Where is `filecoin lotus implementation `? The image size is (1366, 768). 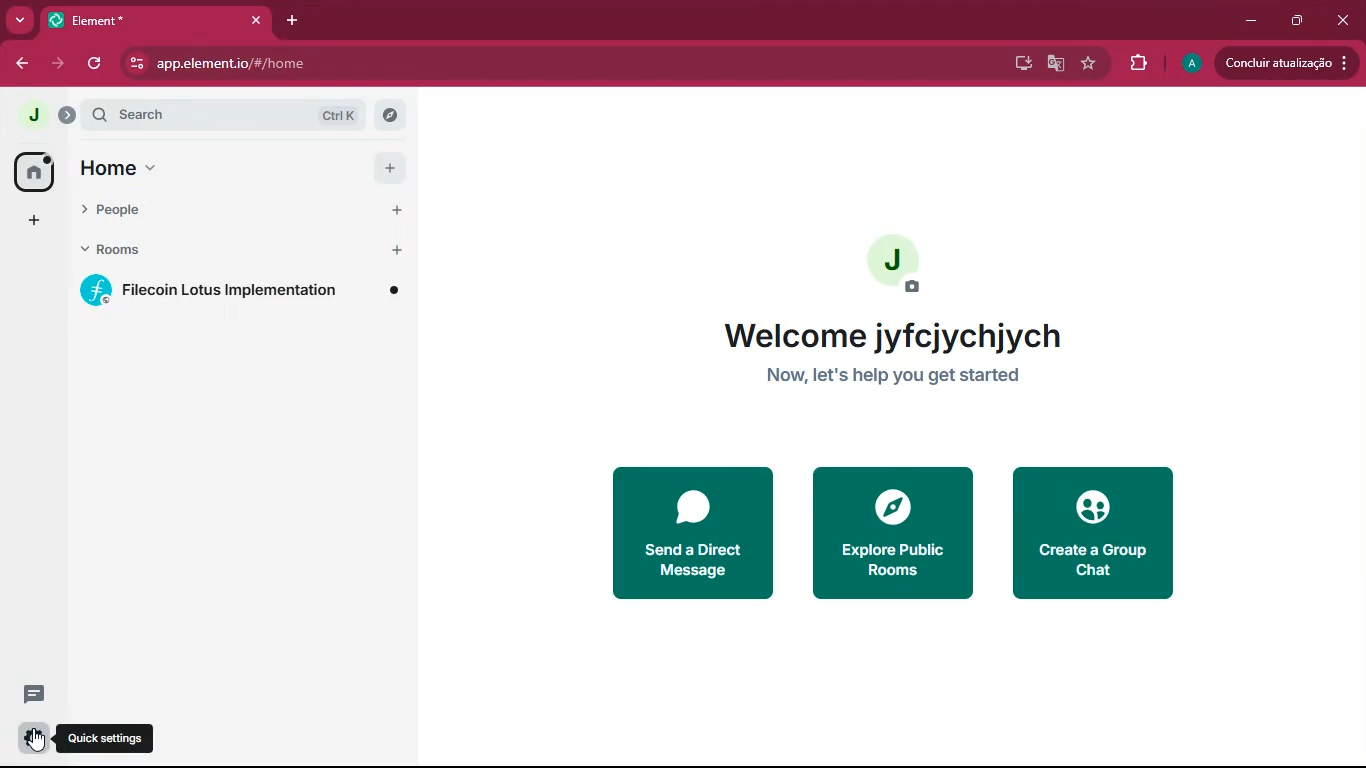 filecoin lotus implementation  is located at coordinates (245, 293).